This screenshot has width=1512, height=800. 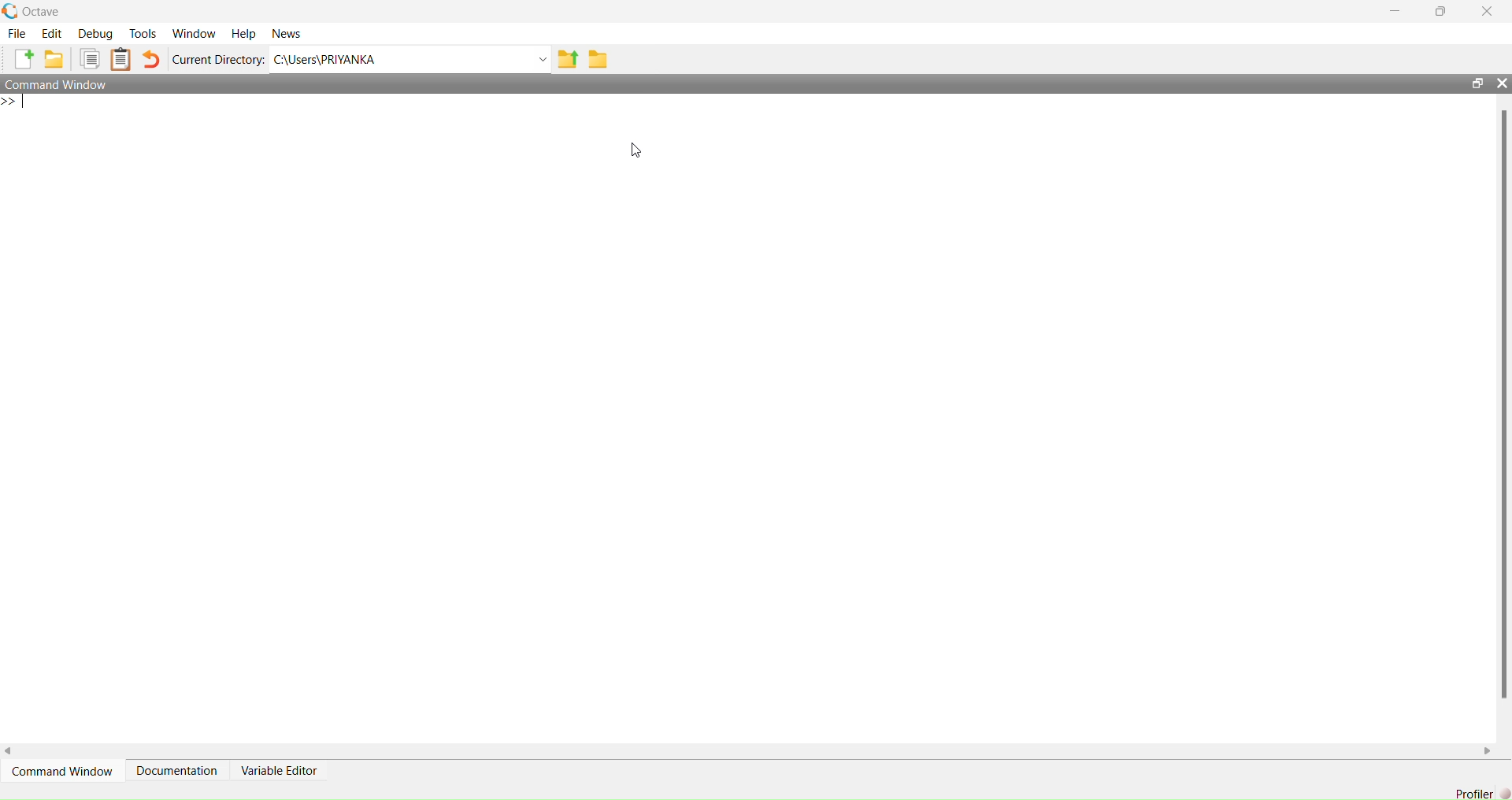 What do you see at coordinates (565, 60) in the screenshot?
I see `One directory up` at bounding box center [565, 60].